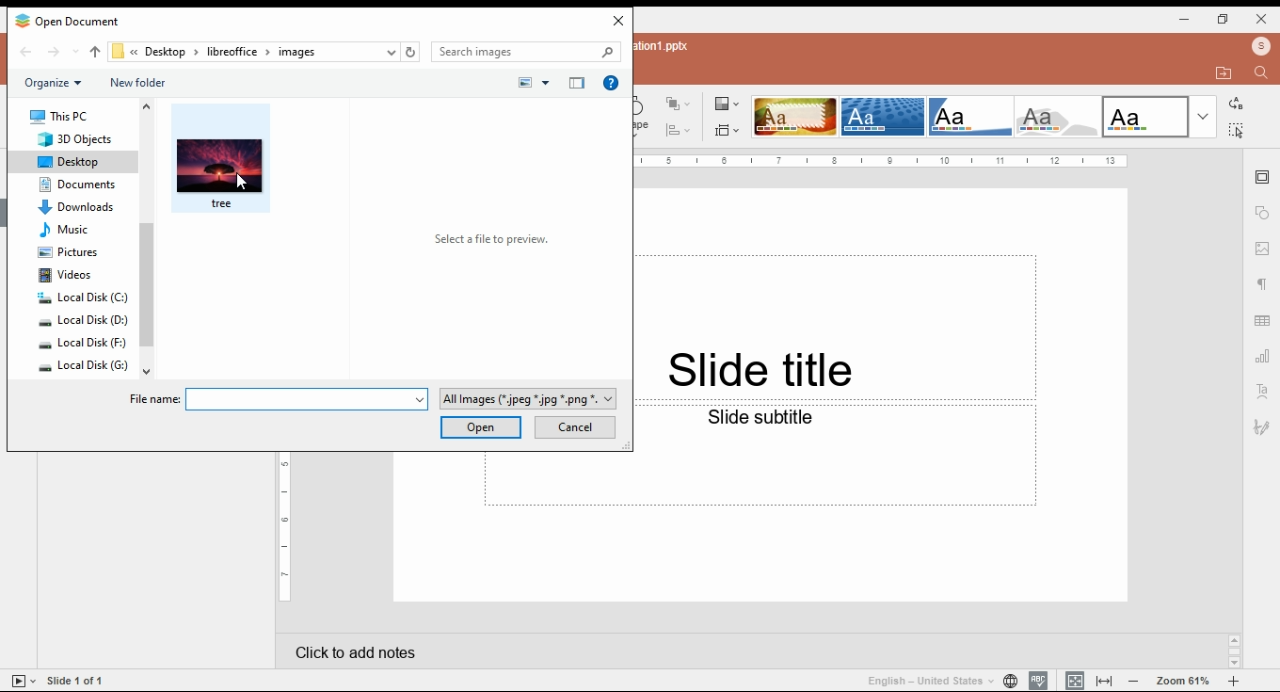 The width and height of the screenshot is (1280, 692). I want to click on pictures, so click(66, 251).